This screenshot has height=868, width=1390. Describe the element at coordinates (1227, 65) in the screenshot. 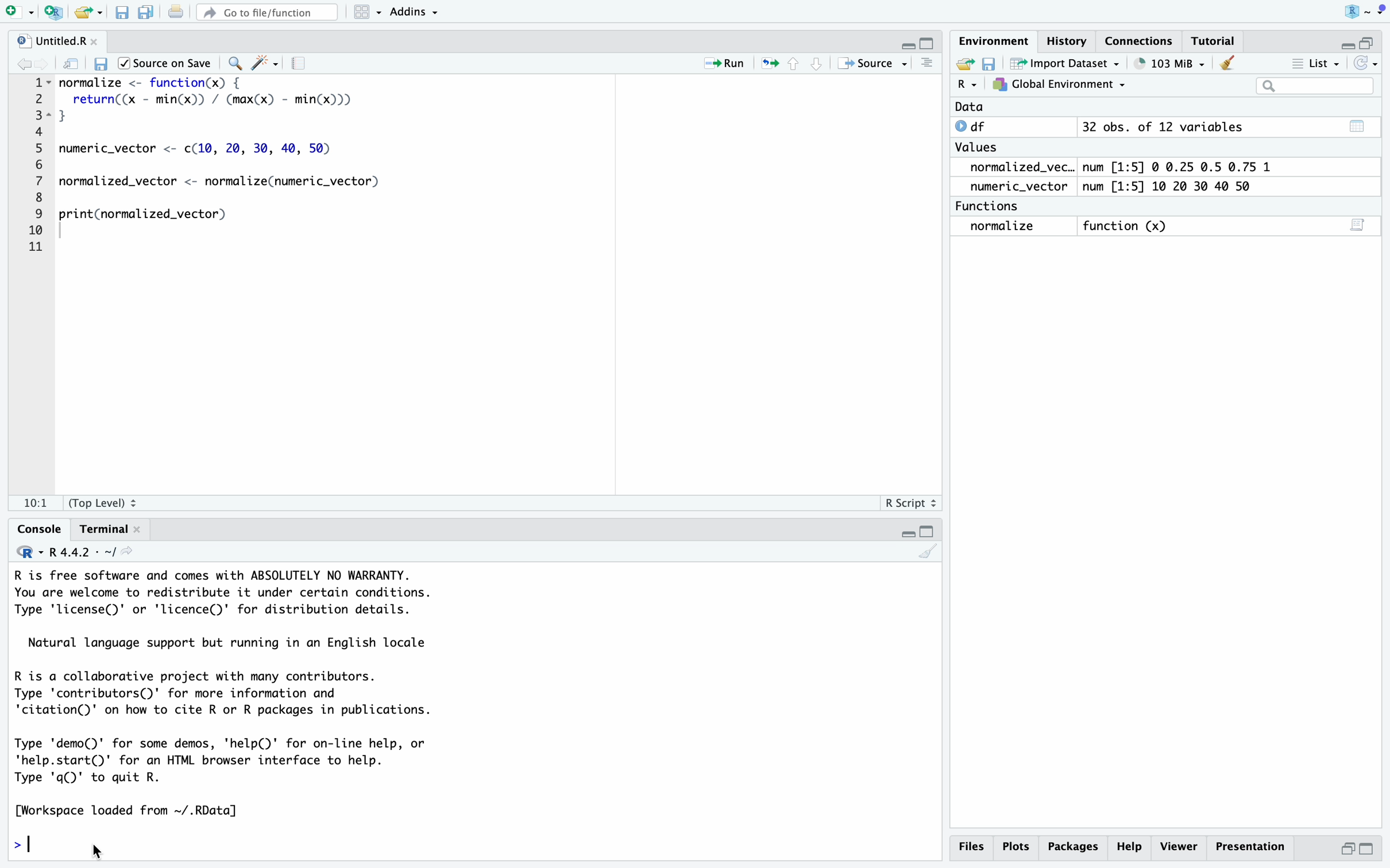

I see `Clear console (Ctrl + R)` at that location.